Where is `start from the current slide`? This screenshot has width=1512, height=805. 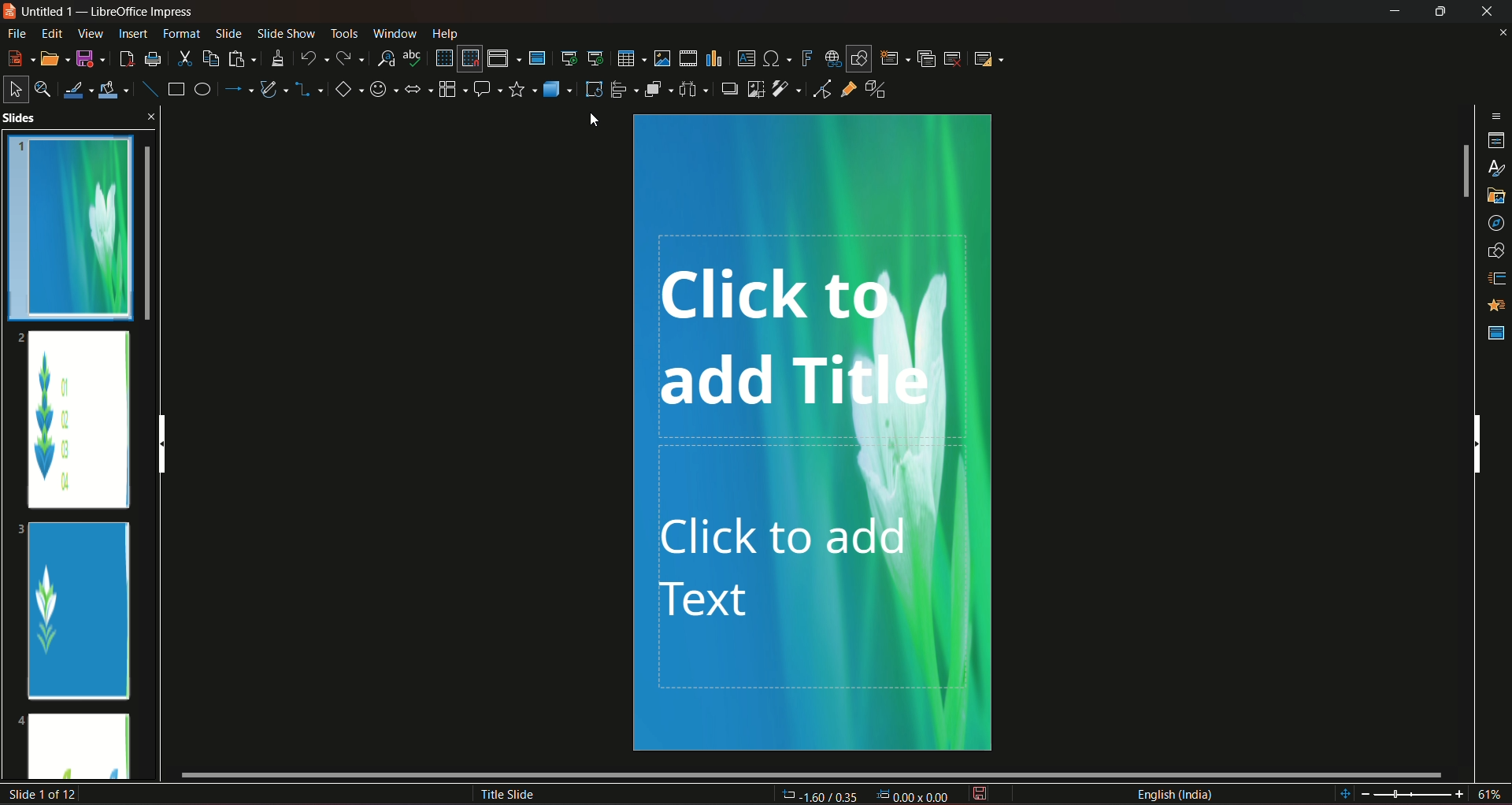
start from the current slide is located at coordinates (596, 57).